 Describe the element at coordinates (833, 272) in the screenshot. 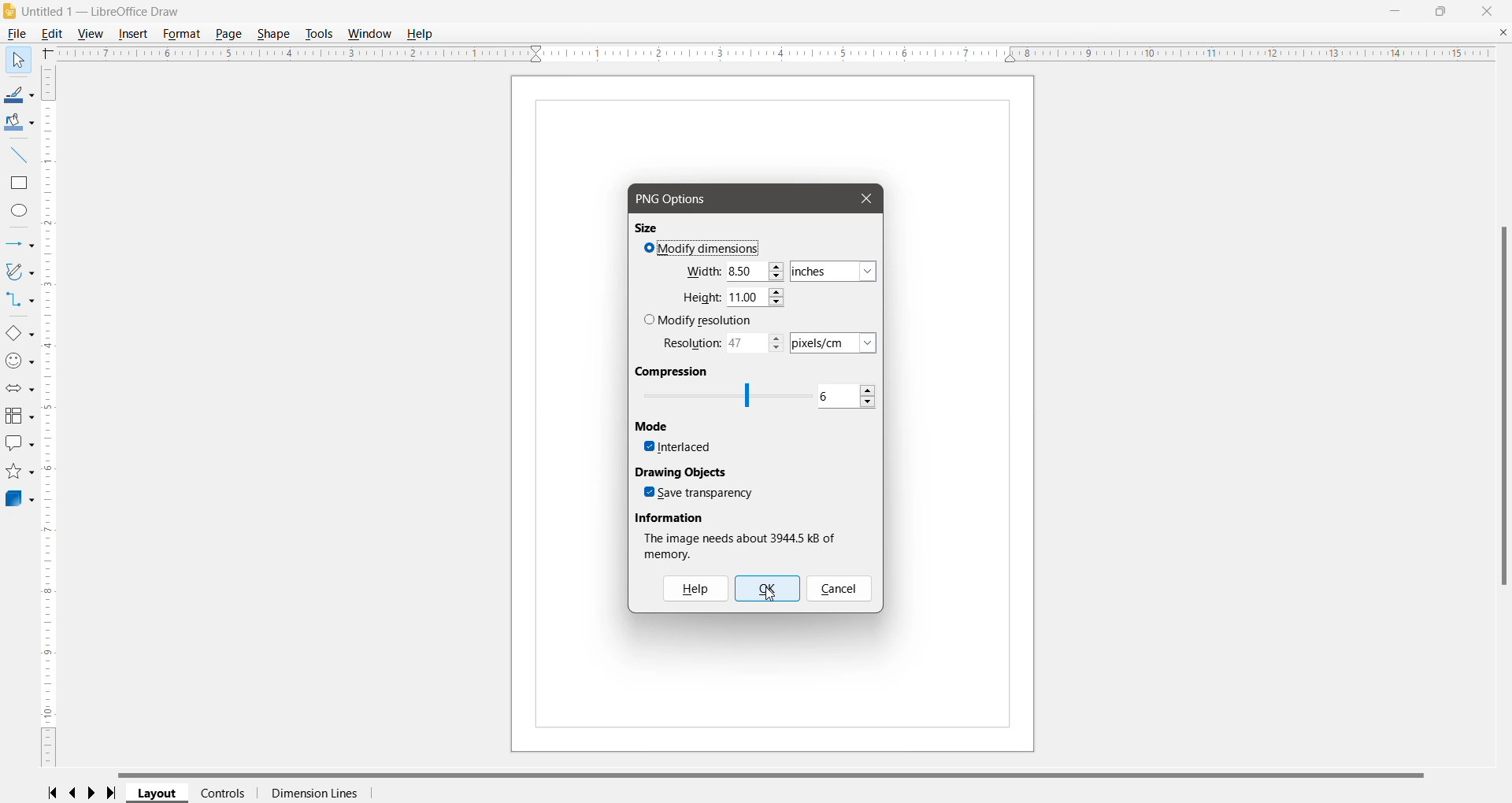

I see `Set required dimension` at that location.